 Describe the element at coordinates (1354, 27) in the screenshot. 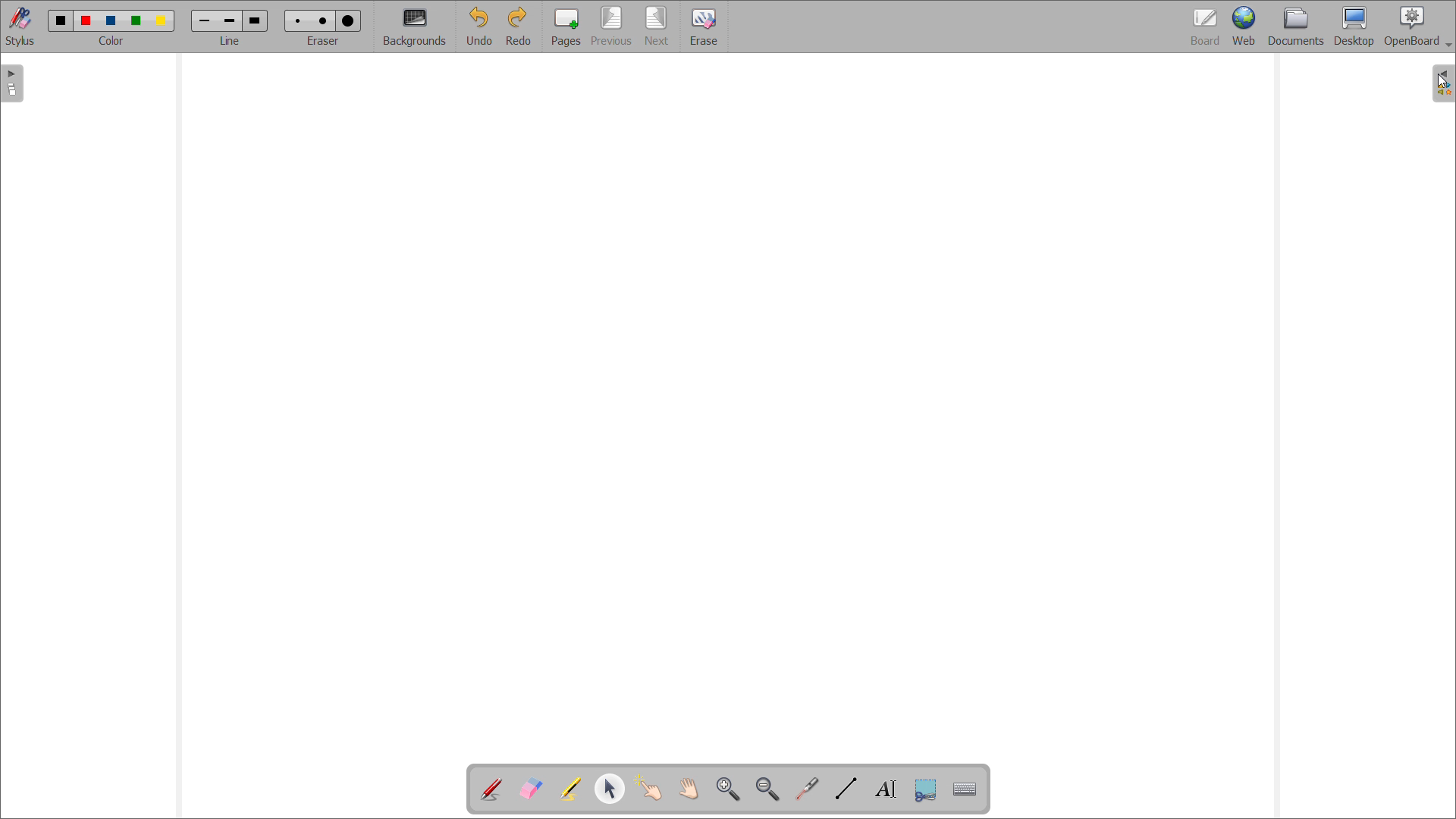

I see `desktop` at that location.